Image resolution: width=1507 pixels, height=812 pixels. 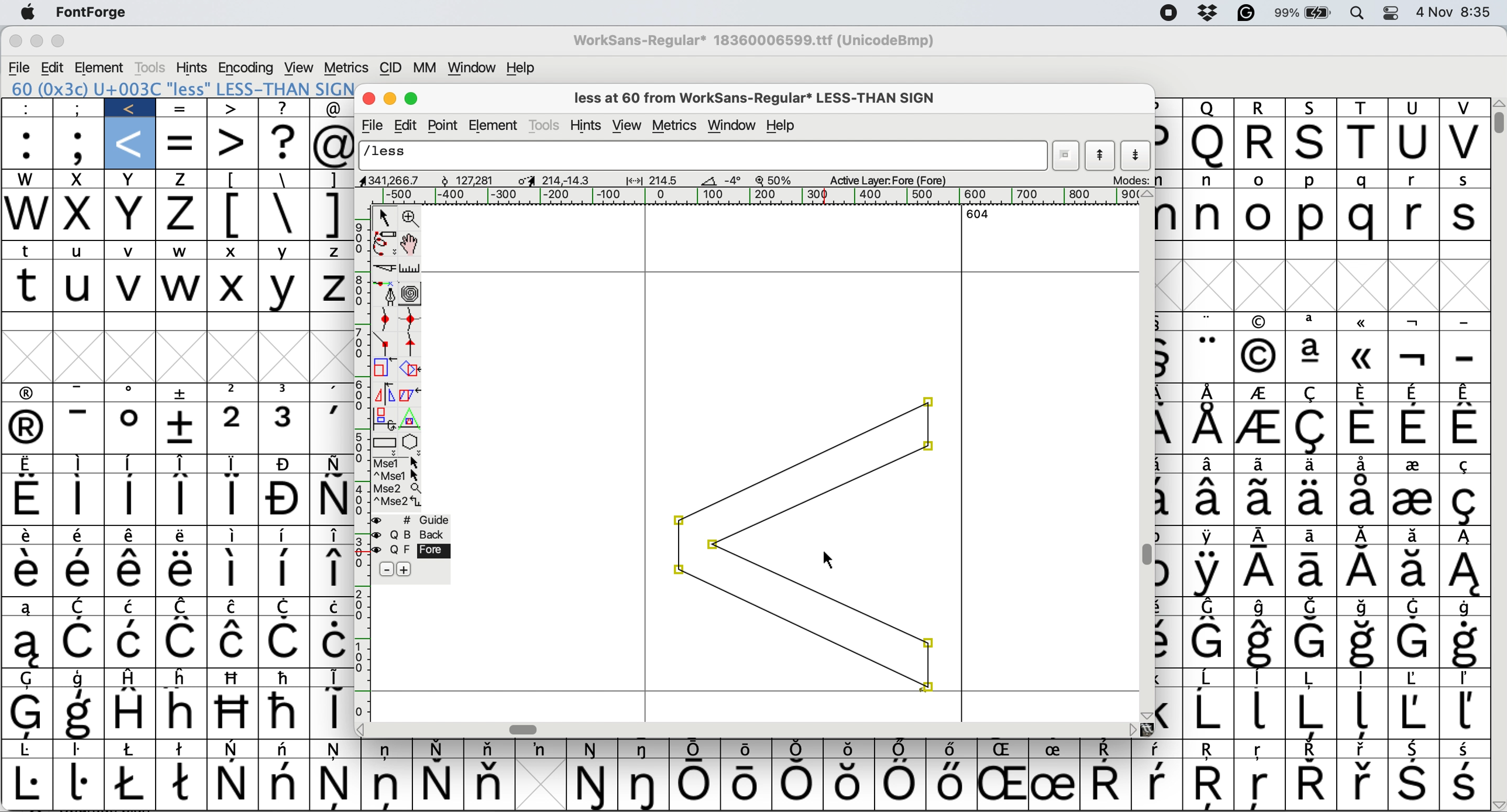 What do you see at coordinates (1464, 181) in the screenshot?
I see `s` at bounding box center [1464, 181].